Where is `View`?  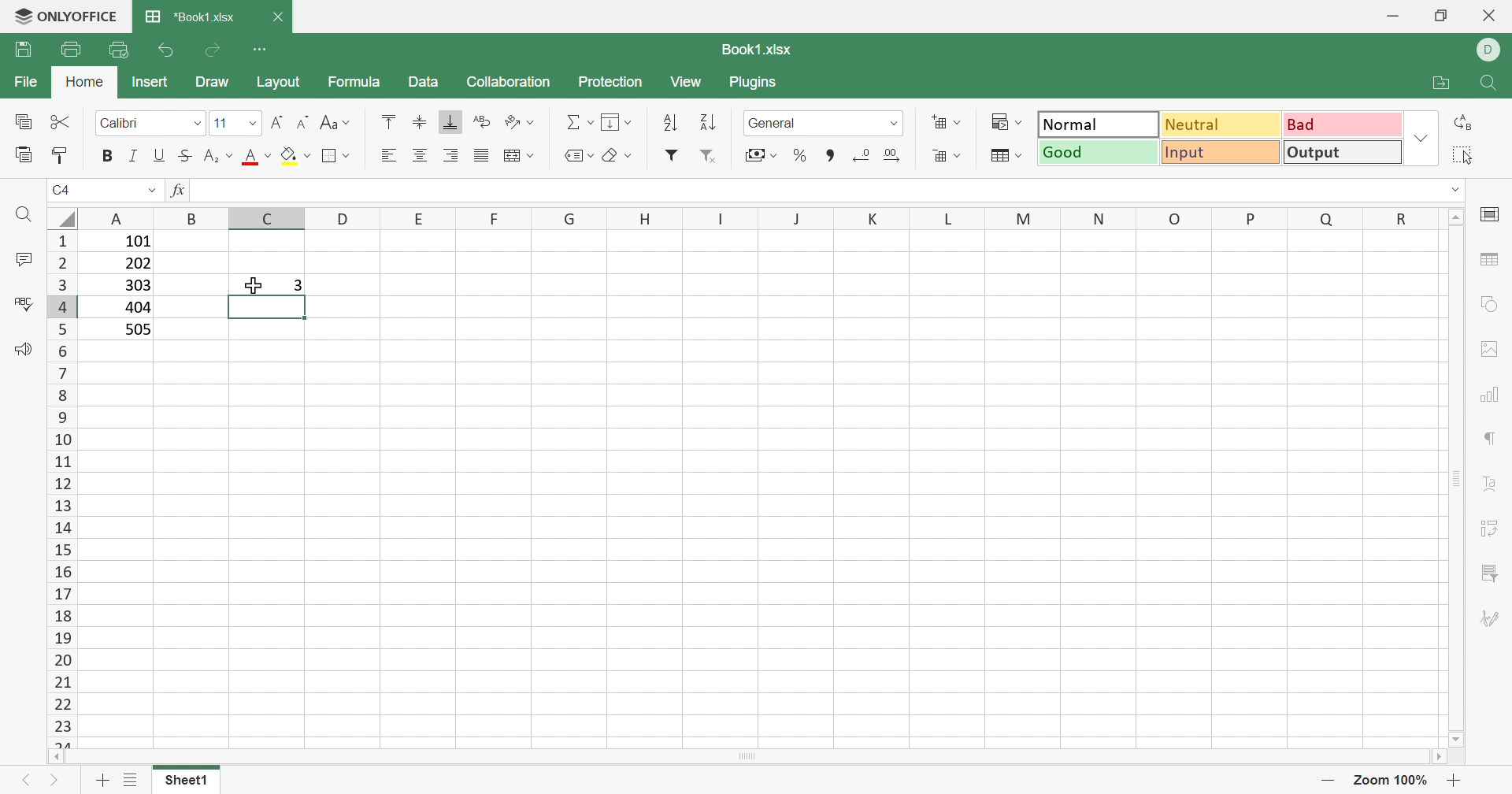
View is located at coordinates (691, 82).